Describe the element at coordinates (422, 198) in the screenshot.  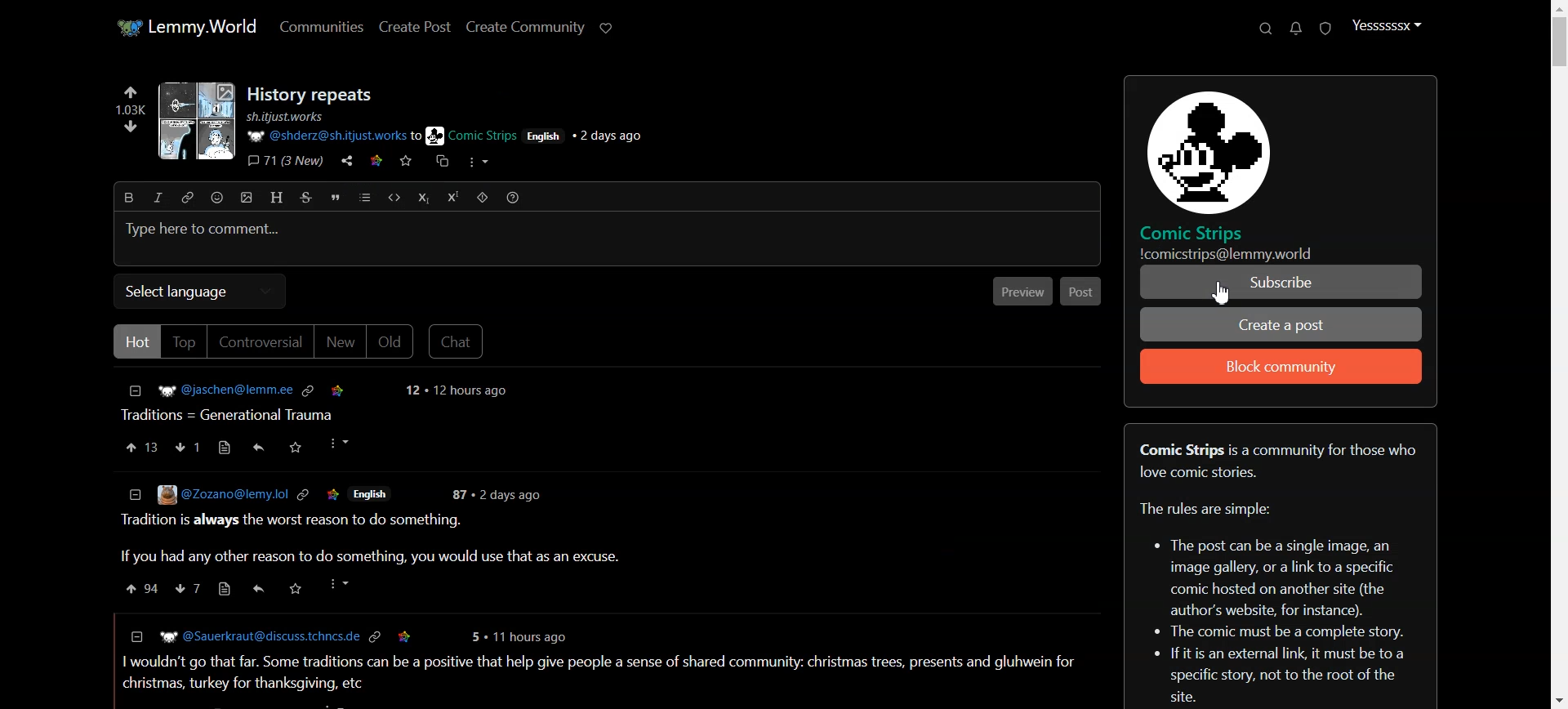
I see `Subscript` at that location.